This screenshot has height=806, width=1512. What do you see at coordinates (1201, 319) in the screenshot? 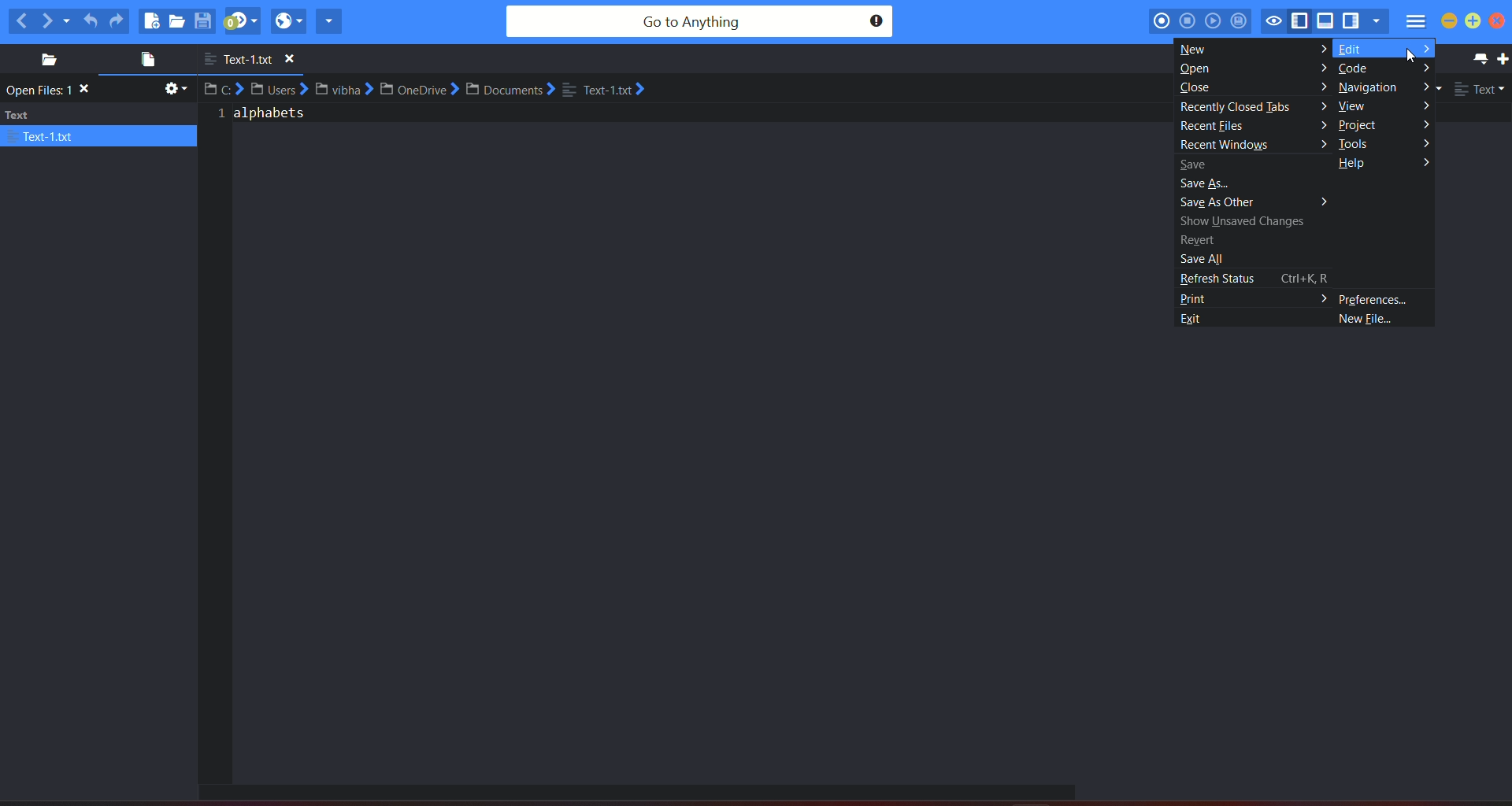
I see `Exit` at bounding box center [1201, 319].